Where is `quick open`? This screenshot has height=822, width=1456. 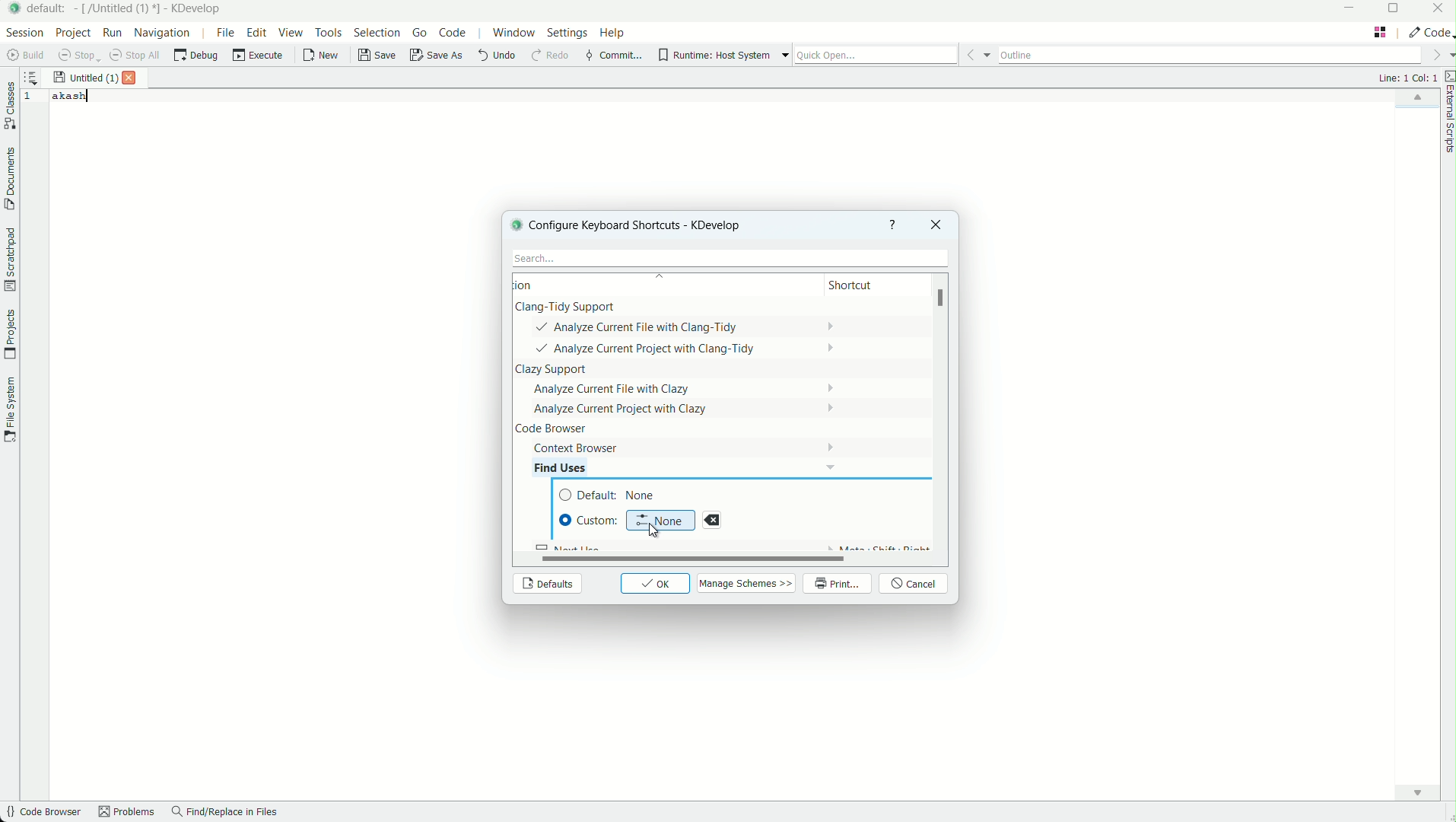
quick open is located at coordinates (876, 56).